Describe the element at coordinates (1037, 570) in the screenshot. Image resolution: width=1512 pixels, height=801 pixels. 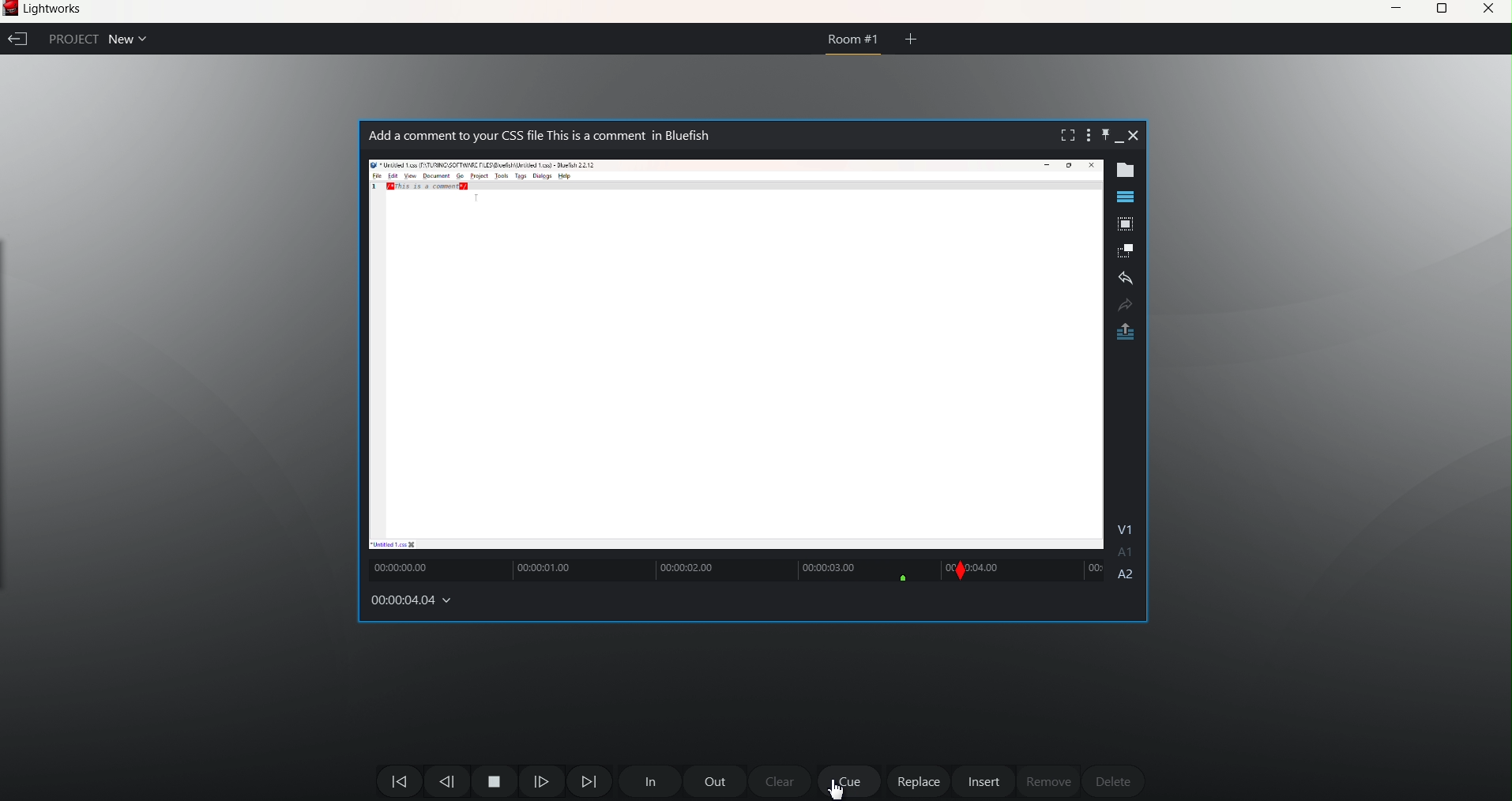
I see `clip track` at that location.